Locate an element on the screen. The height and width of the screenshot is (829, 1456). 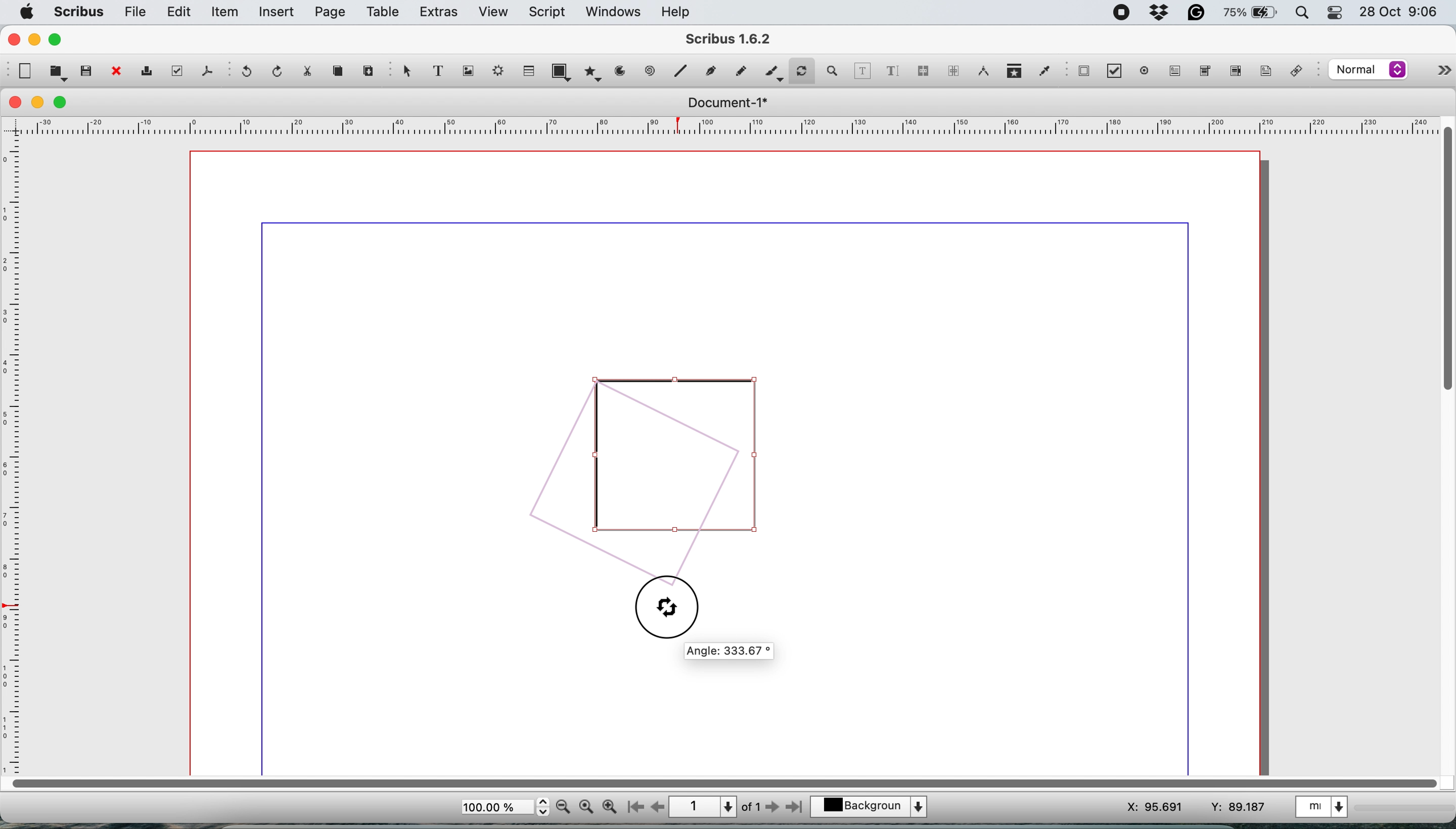
copy is located at coordinates (341, 73).